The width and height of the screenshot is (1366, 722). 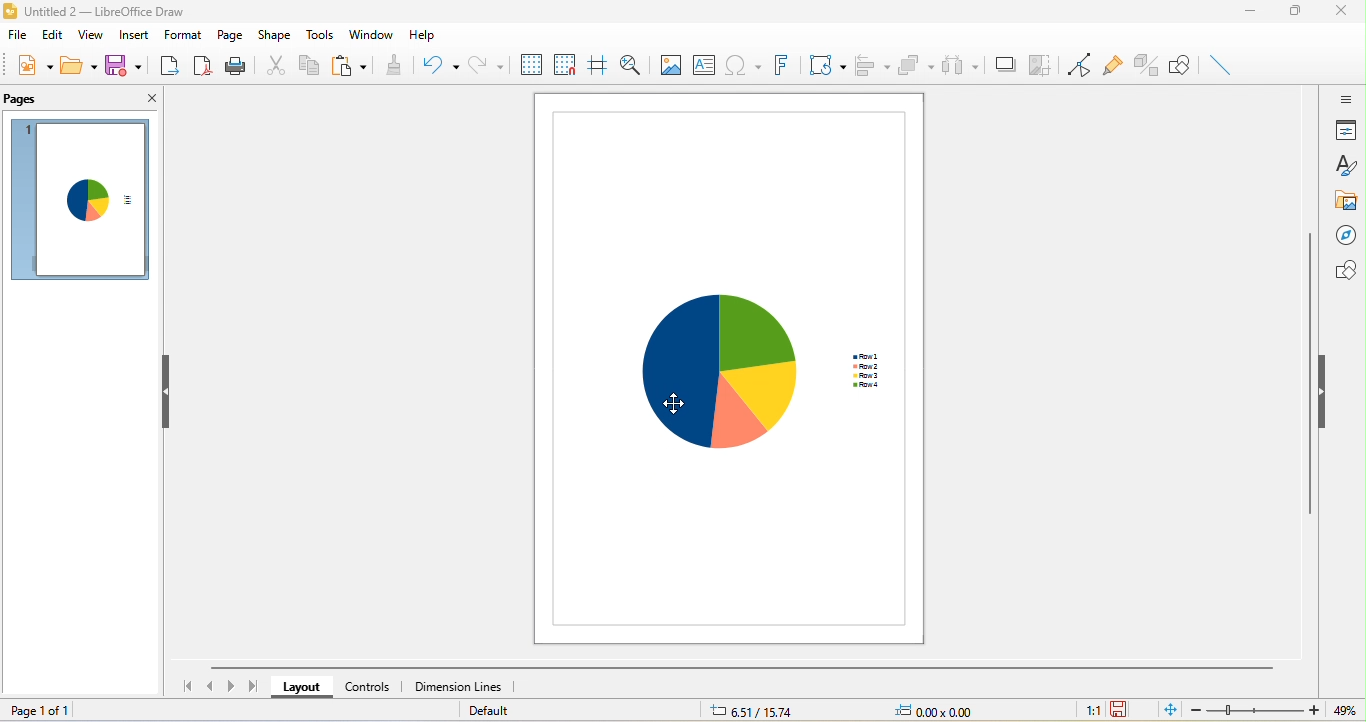 I want to click on export as pdf, so click(x=202, y=66).